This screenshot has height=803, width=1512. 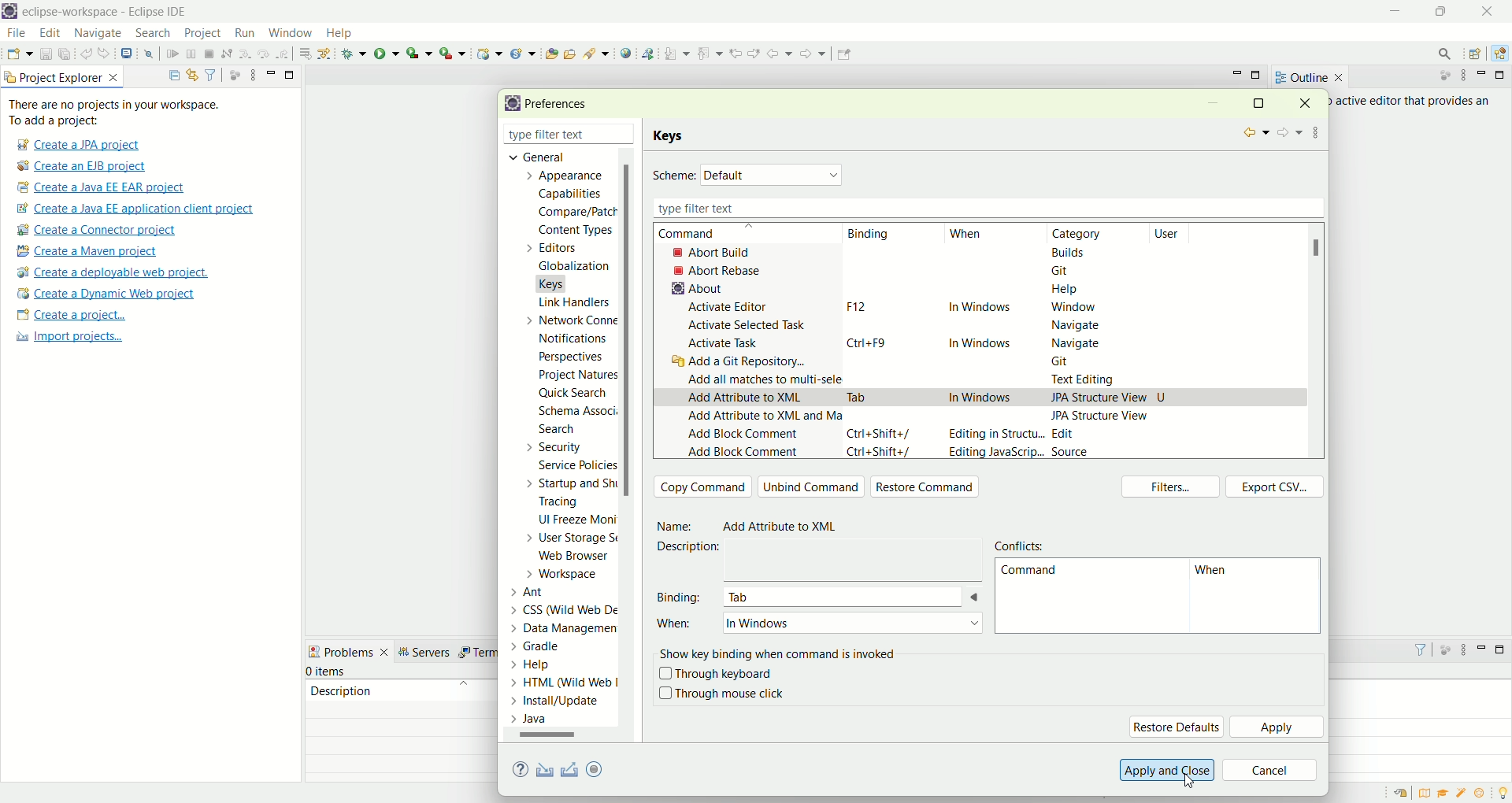 I want to click on terminate, so click(x=209, y=55).